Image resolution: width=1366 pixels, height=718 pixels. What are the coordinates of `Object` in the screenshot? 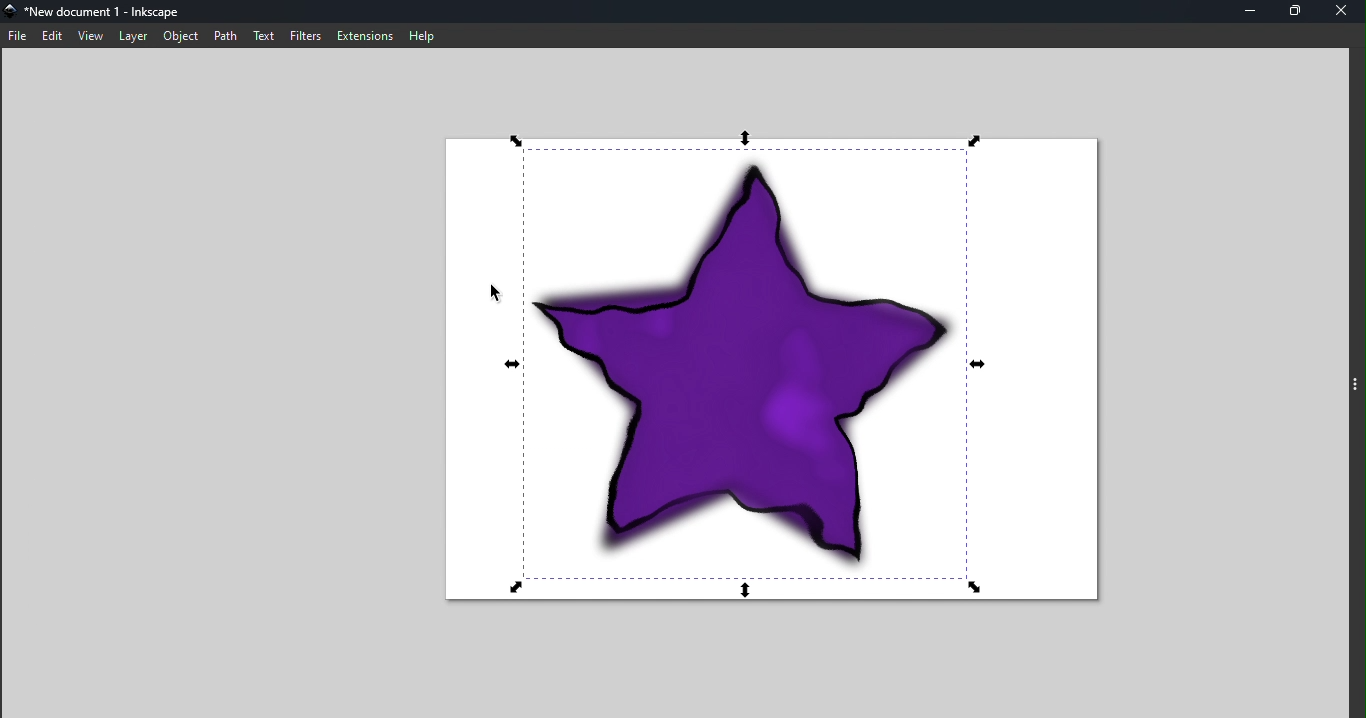 It's located at (180, 36).